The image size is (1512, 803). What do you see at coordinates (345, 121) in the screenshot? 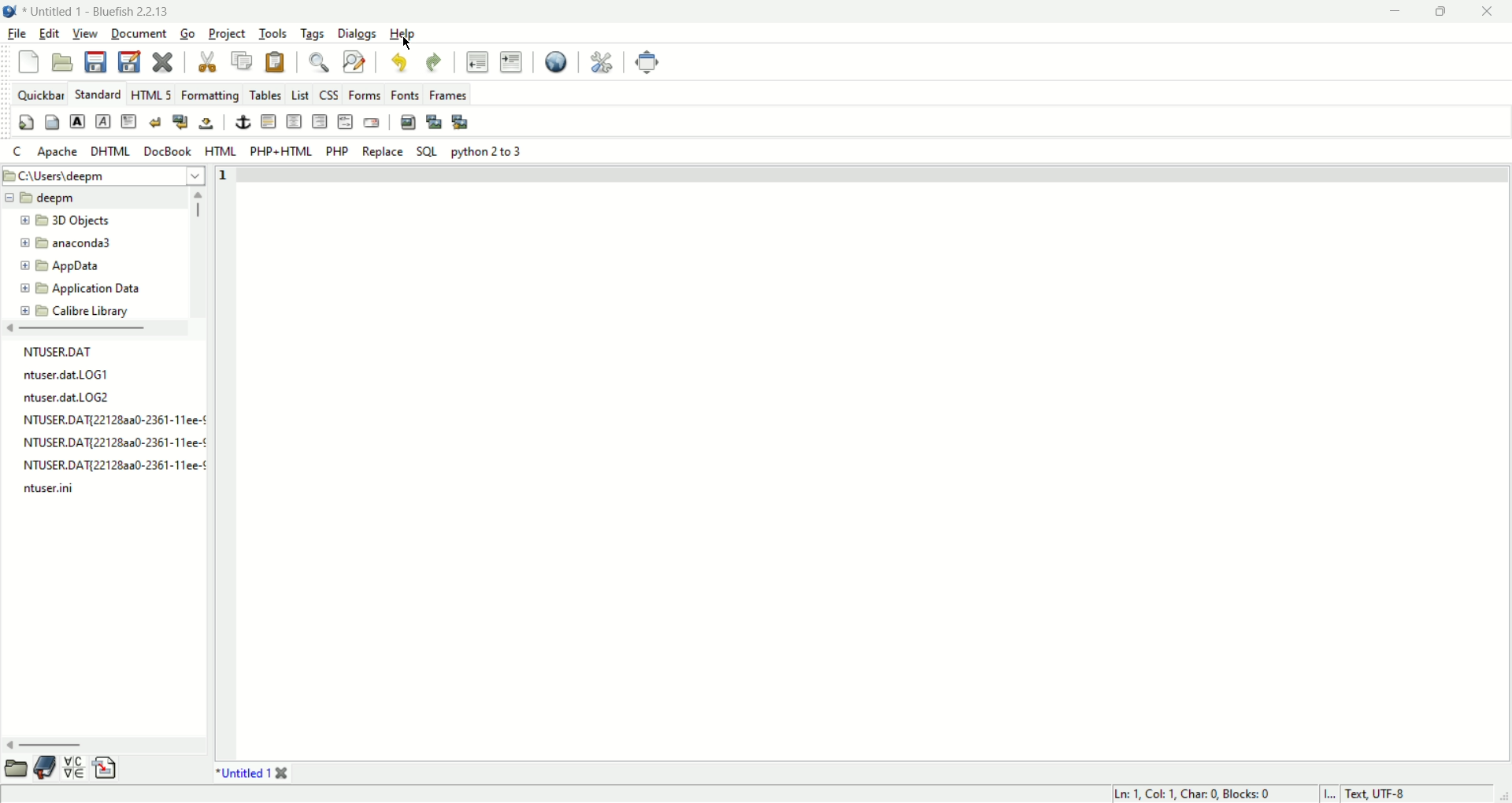
I see `HTML comment` at bounding box center [345, 121].